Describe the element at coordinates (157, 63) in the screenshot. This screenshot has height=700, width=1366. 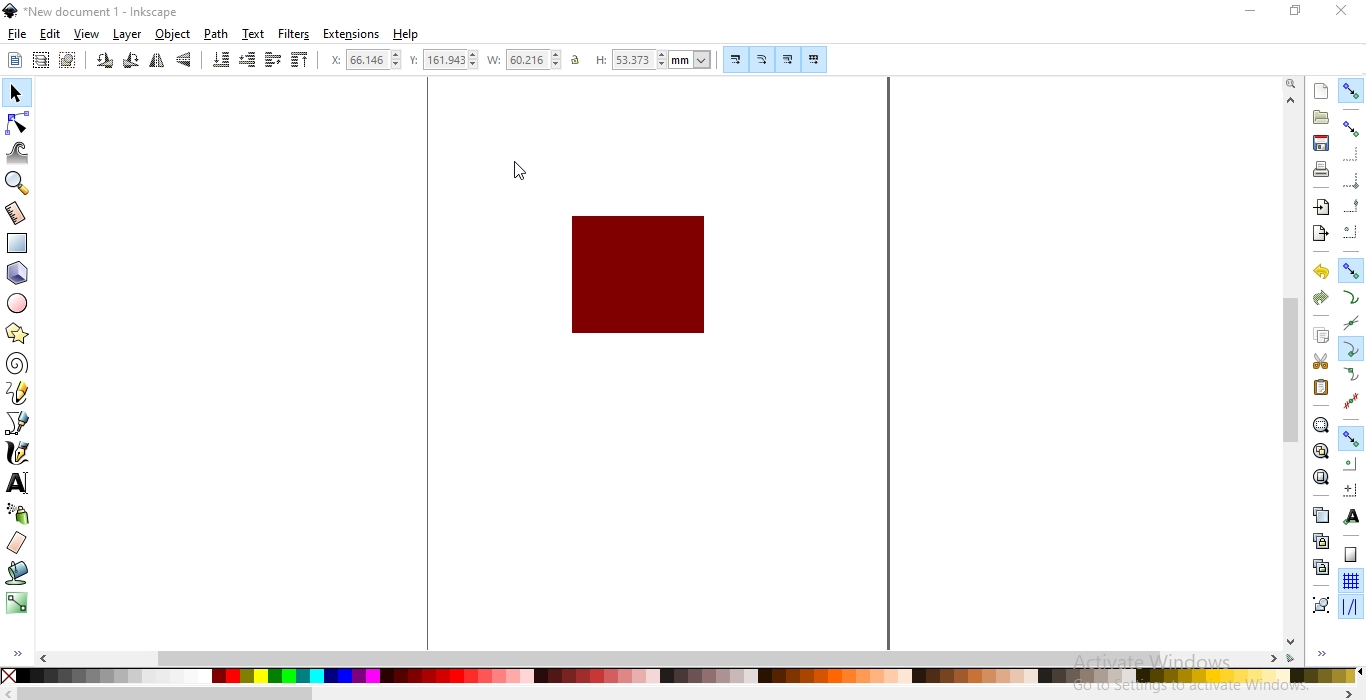
I see `flip horizontally` at that location.